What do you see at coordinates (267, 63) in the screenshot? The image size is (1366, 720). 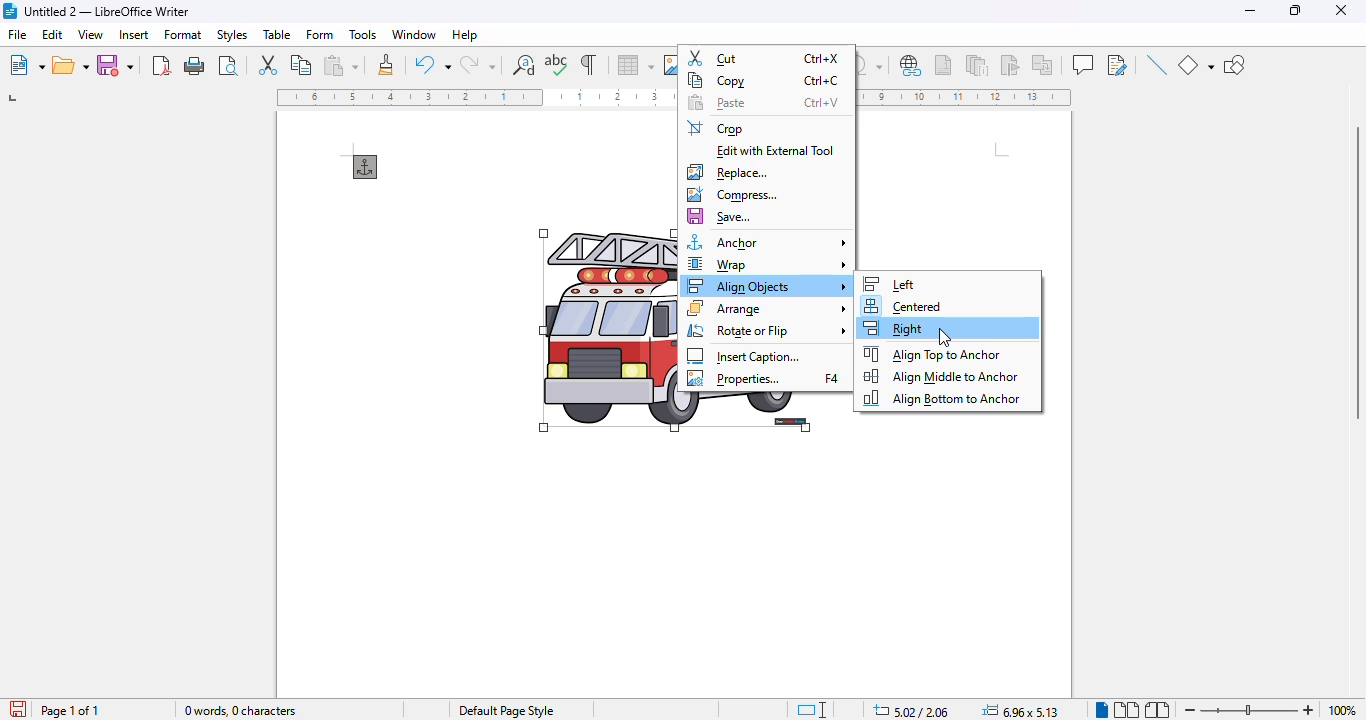 I see `cut` at bounding box center [267, 63].